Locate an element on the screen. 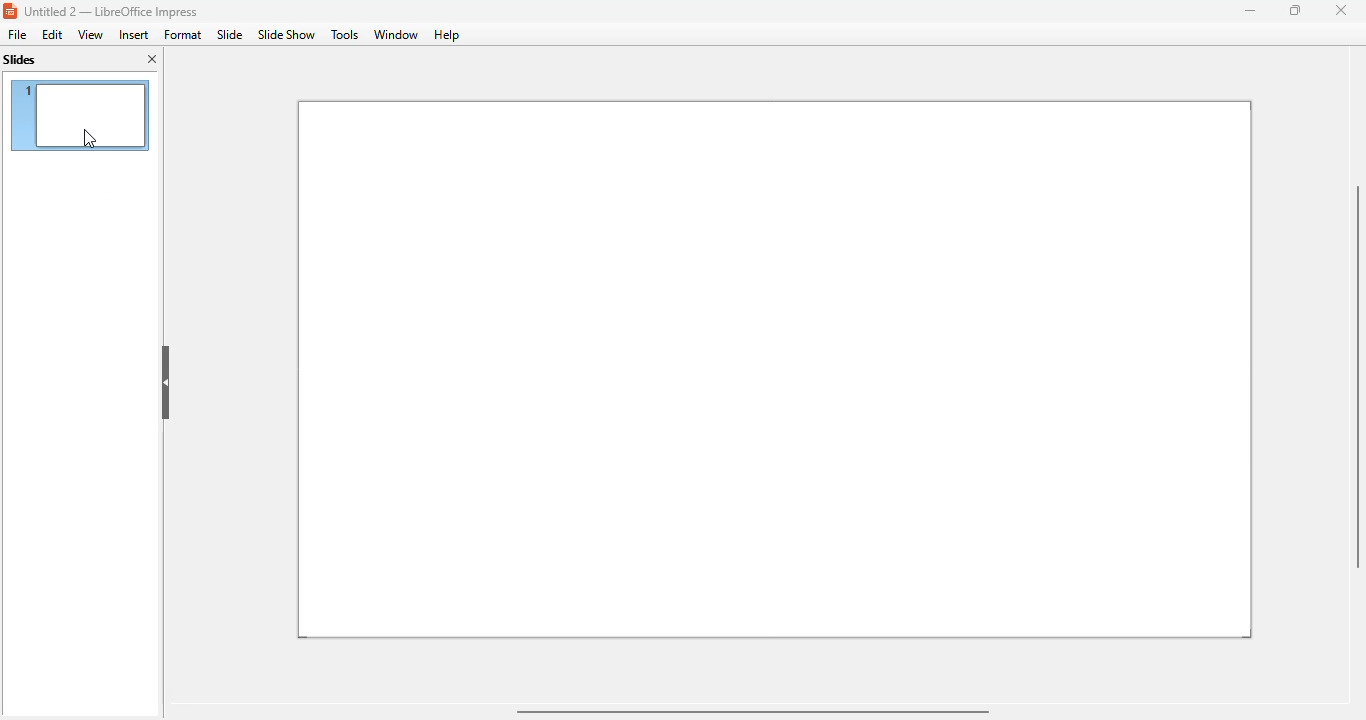 Image resolution: width=1366 pixels, height=720 pixels. logo is located at coordinates (10, 11).